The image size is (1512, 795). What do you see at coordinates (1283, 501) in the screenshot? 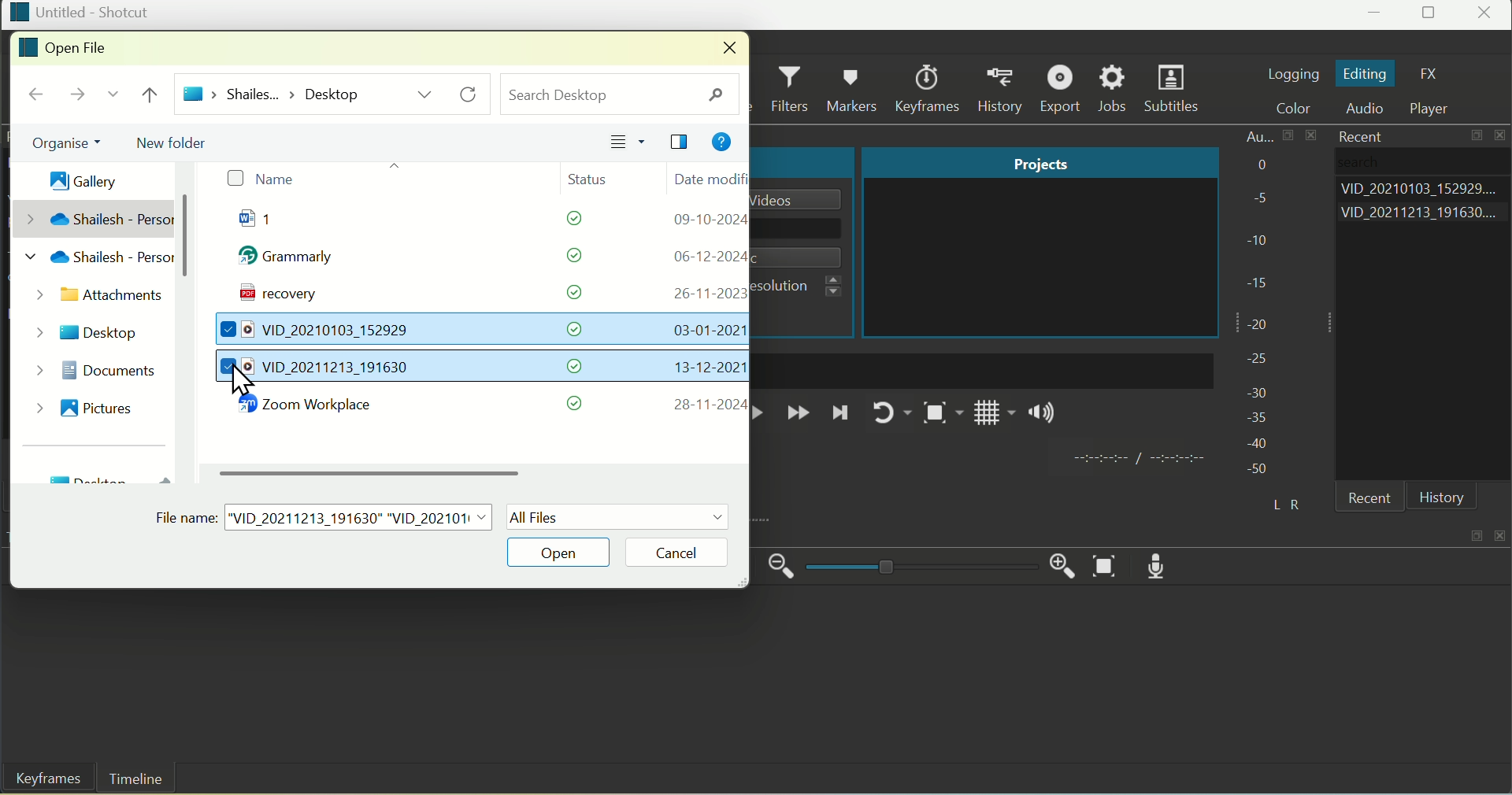
I see `L R` at bounding box center [1283, 501].